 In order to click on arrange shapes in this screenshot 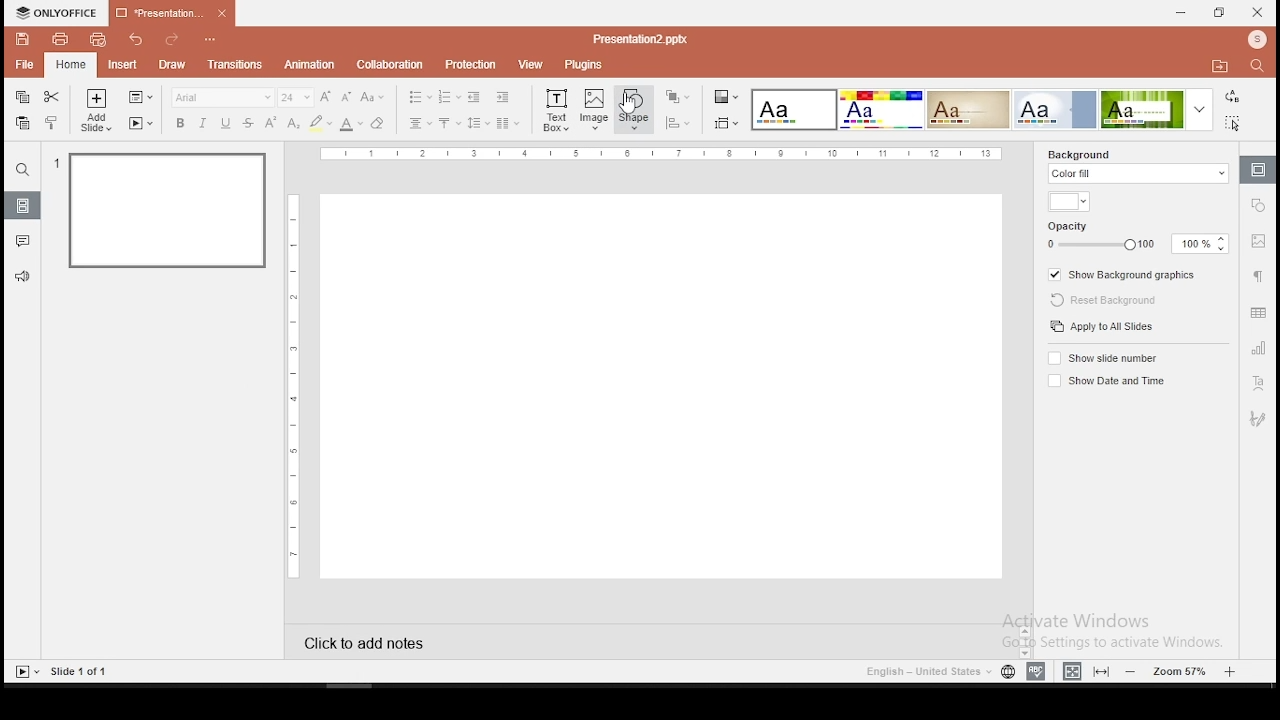, I will do `click(676, 97)`.